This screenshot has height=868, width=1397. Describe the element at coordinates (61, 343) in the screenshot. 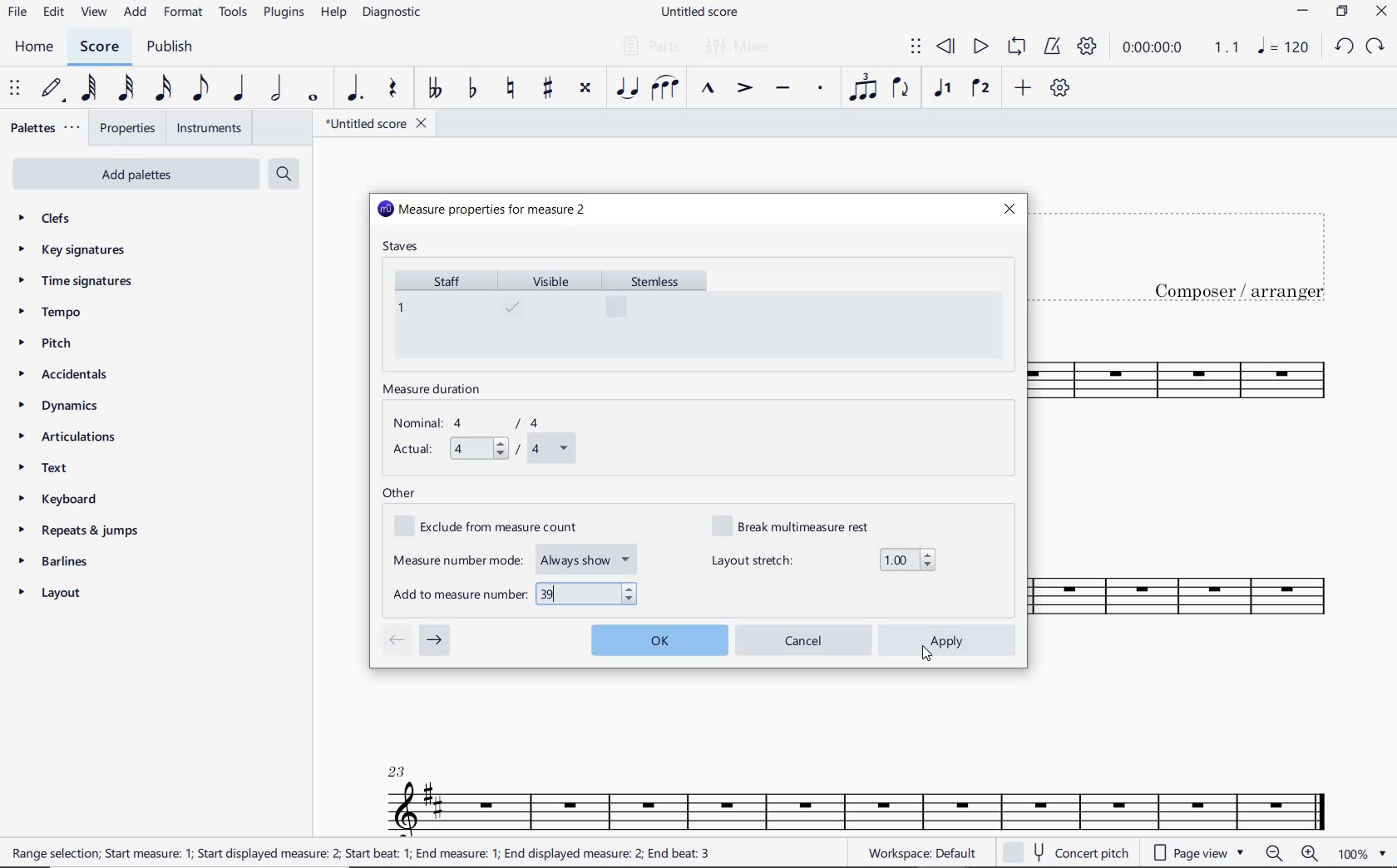

I see `PITCH` at that location.